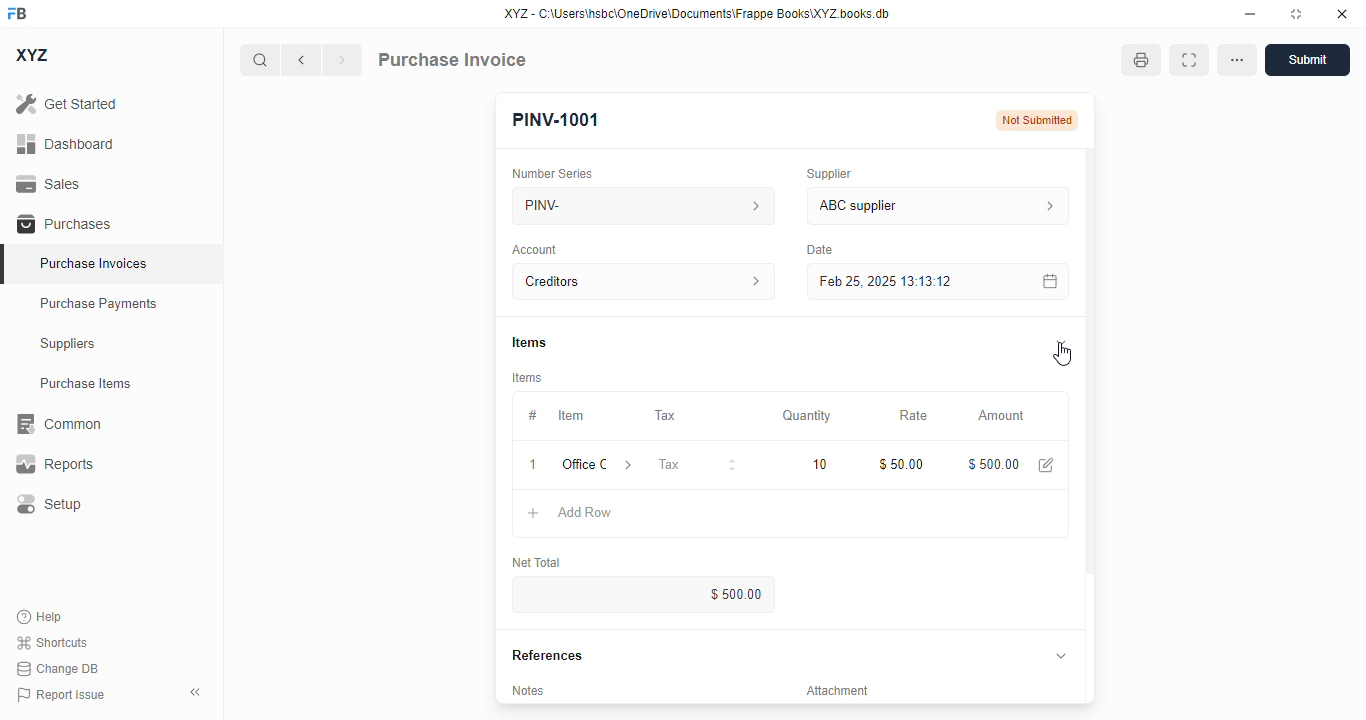 This screenshot has width=1366, height=720. What do you see at coordinates (753, 282) in the screenshot?
I see `account information` at bounding box center [753, 282].